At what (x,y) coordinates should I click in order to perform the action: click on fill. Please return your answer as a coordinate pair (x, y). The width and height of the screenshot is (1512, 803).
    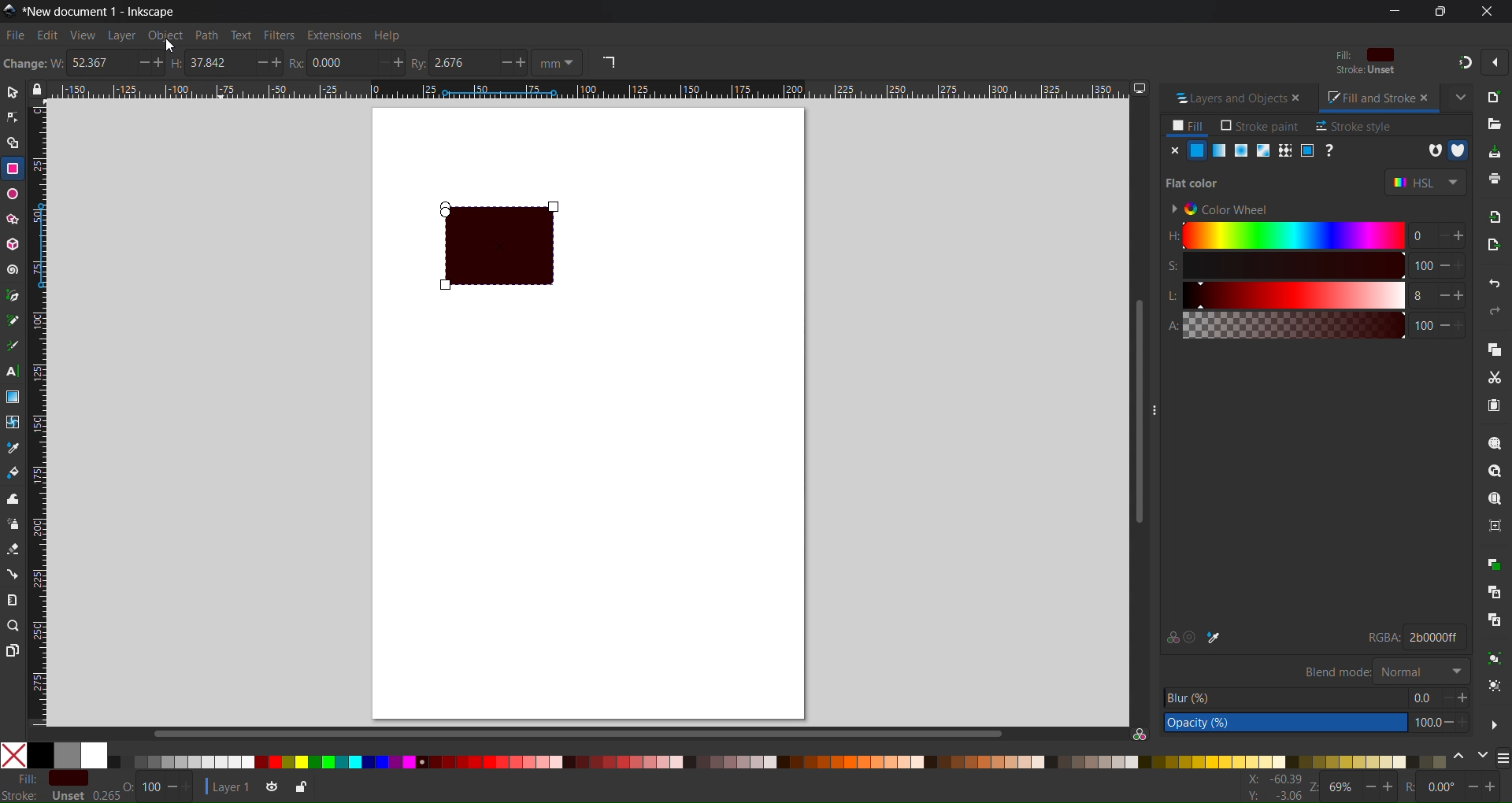
    Looking at the image, I should click on (20, 778).